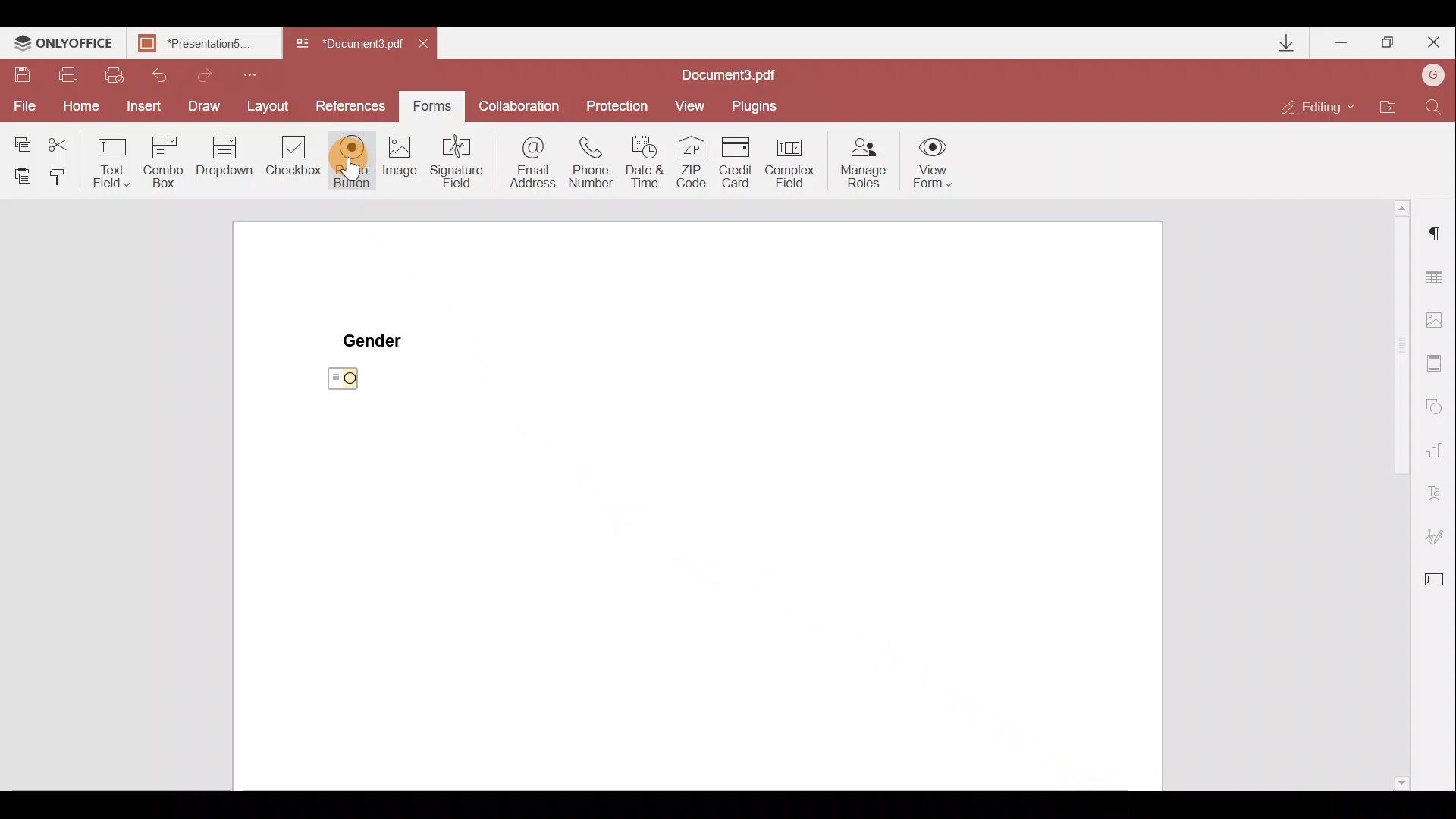 This screenshot has height=819, width=1456. Describe the element at coordinates (1323, 101) in the screenshot. I see `Editing mode` at that location.